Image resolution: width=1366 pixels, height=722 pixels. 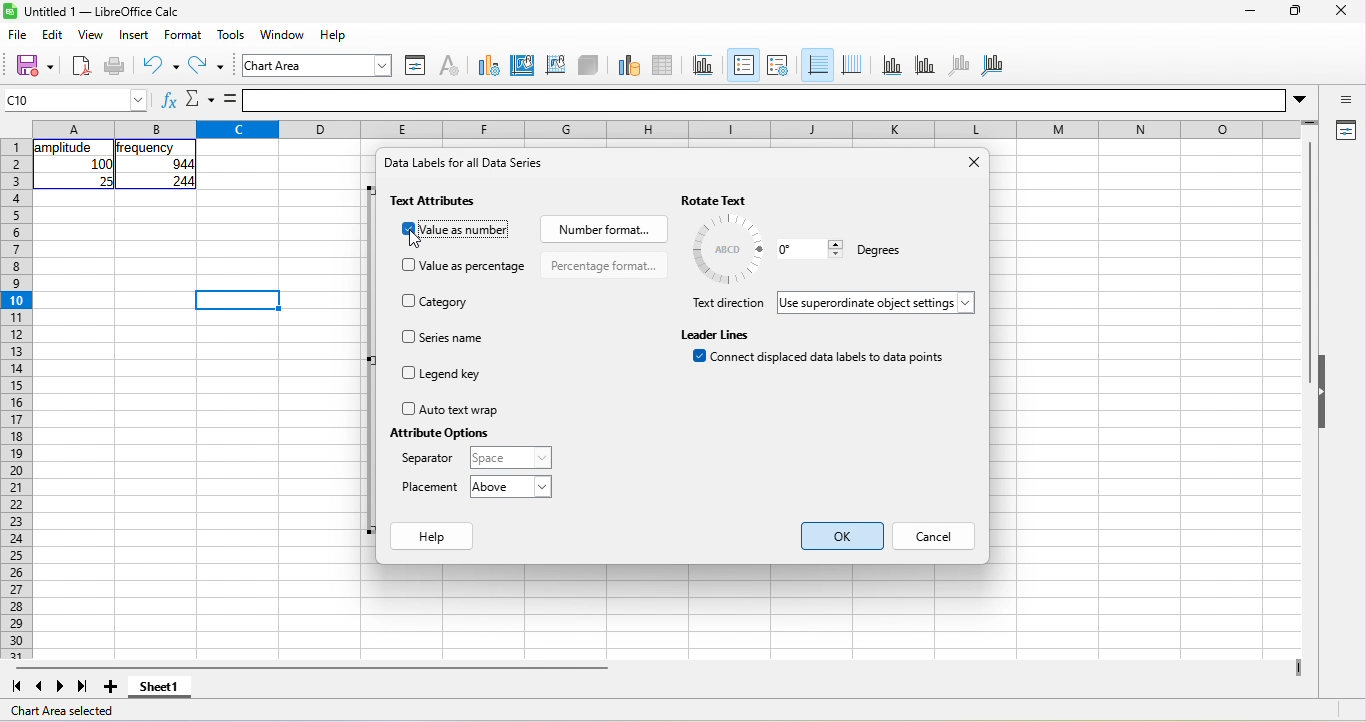 I want to click on 25, so click(x=104, y=181).